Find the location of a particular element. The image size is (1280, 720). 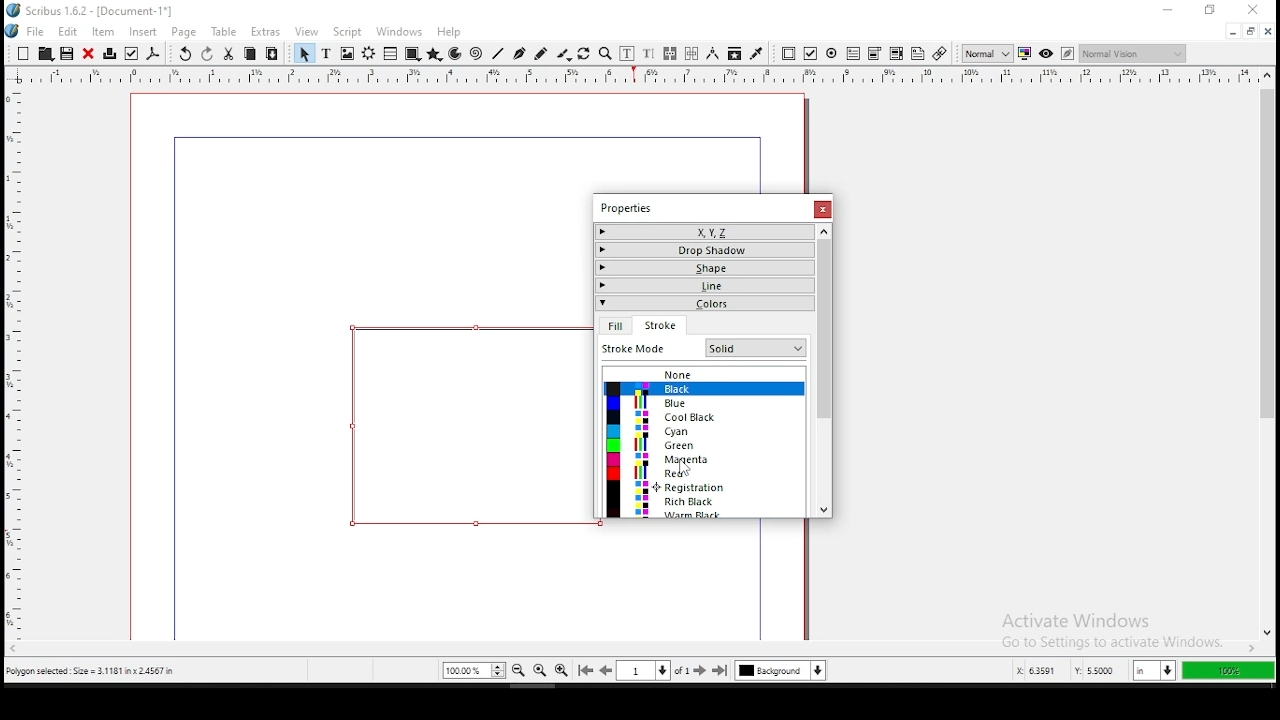

vertical ruler is located at coordinates (640, 74).